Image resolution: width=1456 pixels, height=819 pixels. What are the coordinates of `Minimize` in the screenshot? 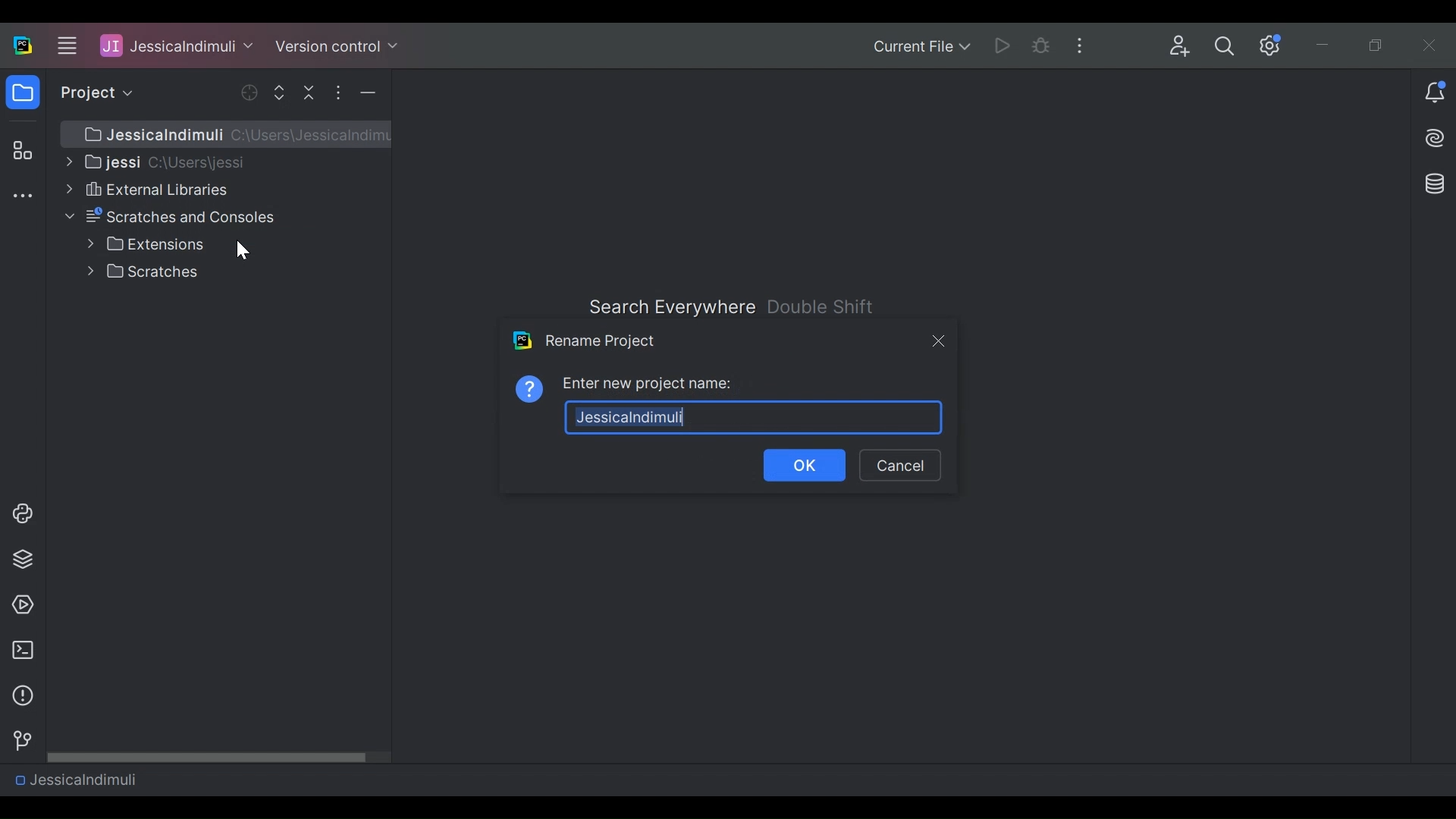 It's located at (1326, 47).